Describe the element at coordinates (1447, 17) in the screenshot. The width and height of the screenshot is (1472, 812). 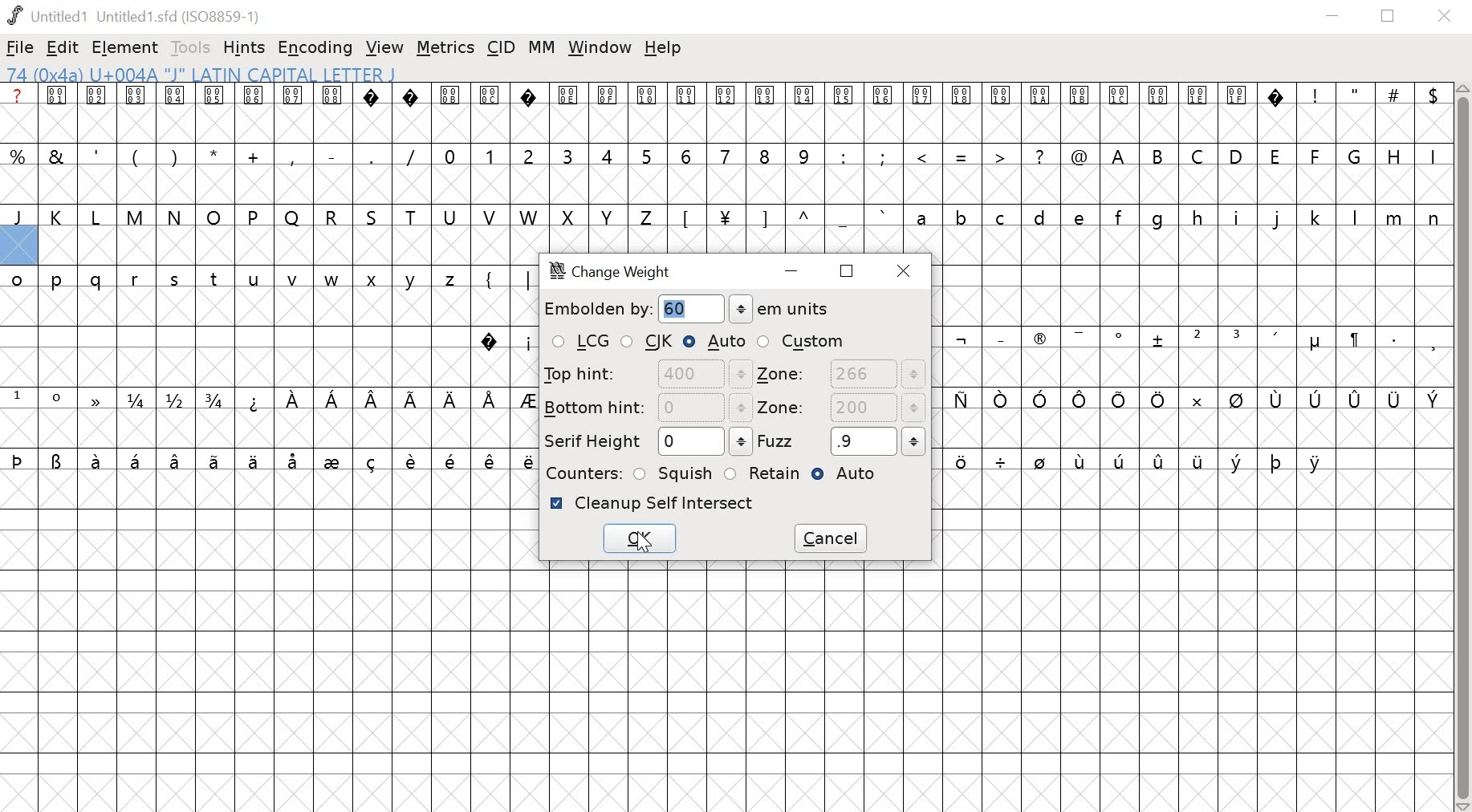
I see `close` at that location.